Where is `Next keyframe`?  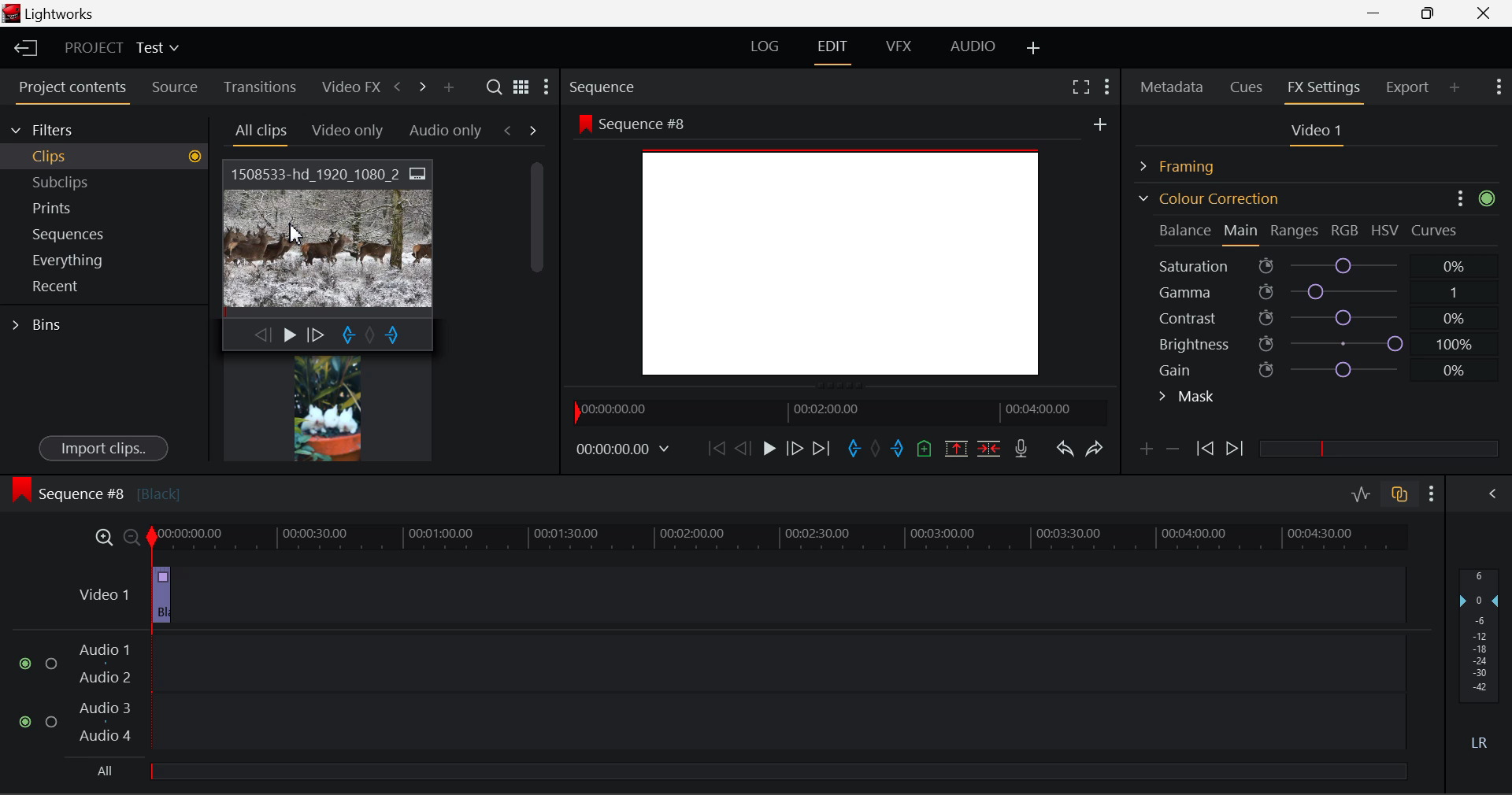
Next keyframe is located at coordinates (1236, 449).